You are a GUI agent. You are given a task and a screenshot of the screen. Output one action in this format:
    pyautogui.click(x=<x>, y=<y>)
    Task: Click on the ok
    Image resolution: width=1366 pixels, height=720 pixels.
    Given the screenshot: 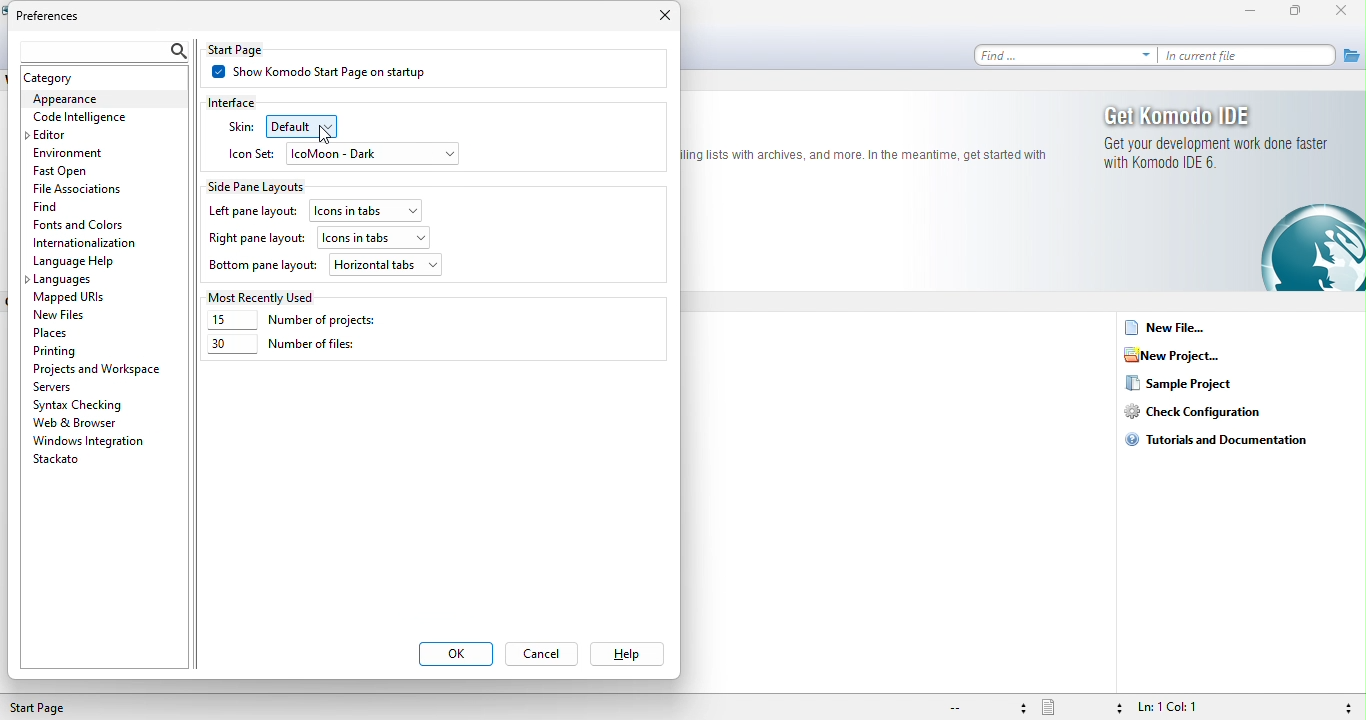 What is the action you would take?
    pyautogui.click(x=455, y=655)
    